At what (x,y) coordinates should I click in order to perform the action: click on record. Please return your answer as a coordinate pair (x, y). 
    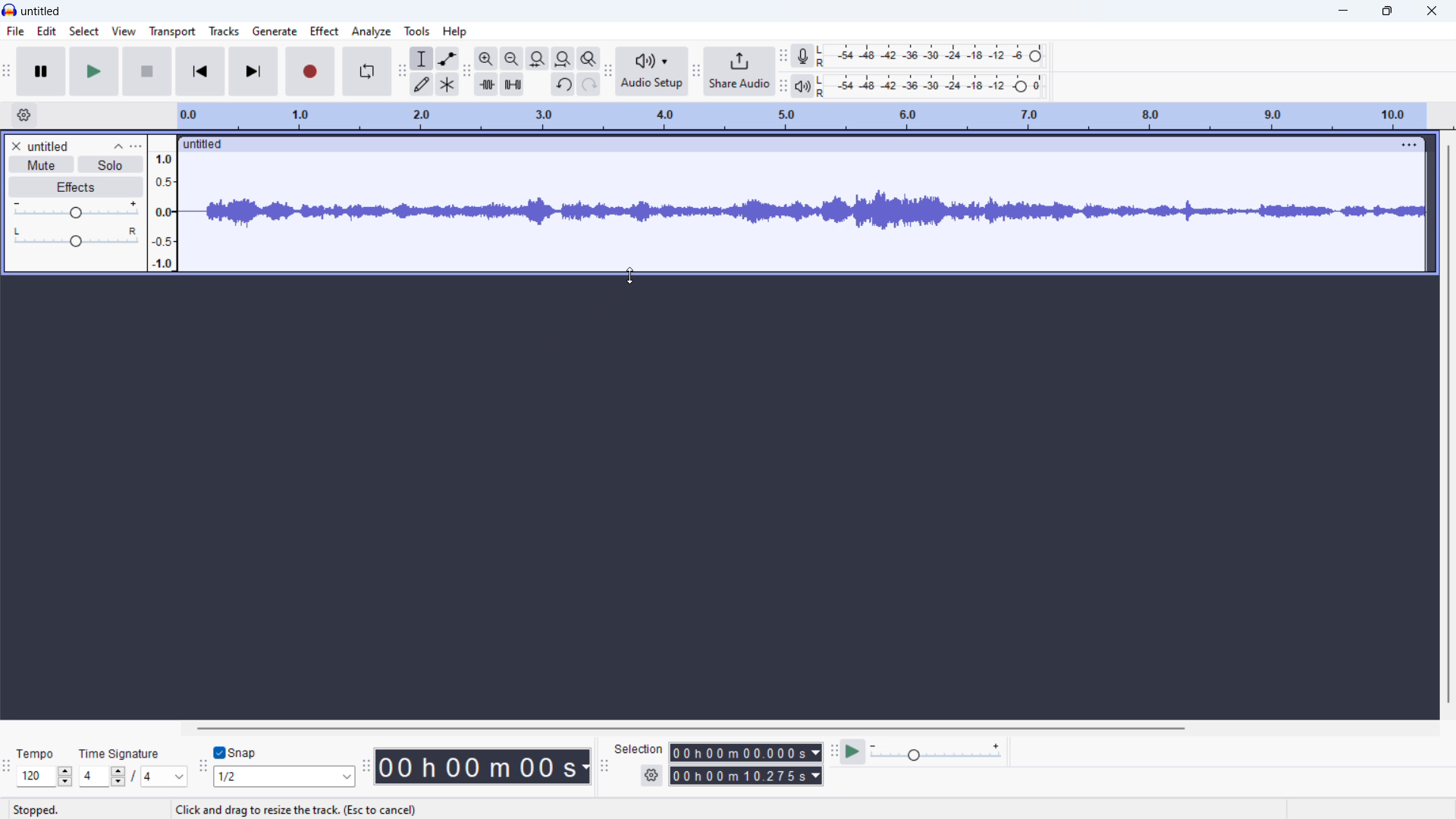
    Looking at the image, I should click on (309, 71).